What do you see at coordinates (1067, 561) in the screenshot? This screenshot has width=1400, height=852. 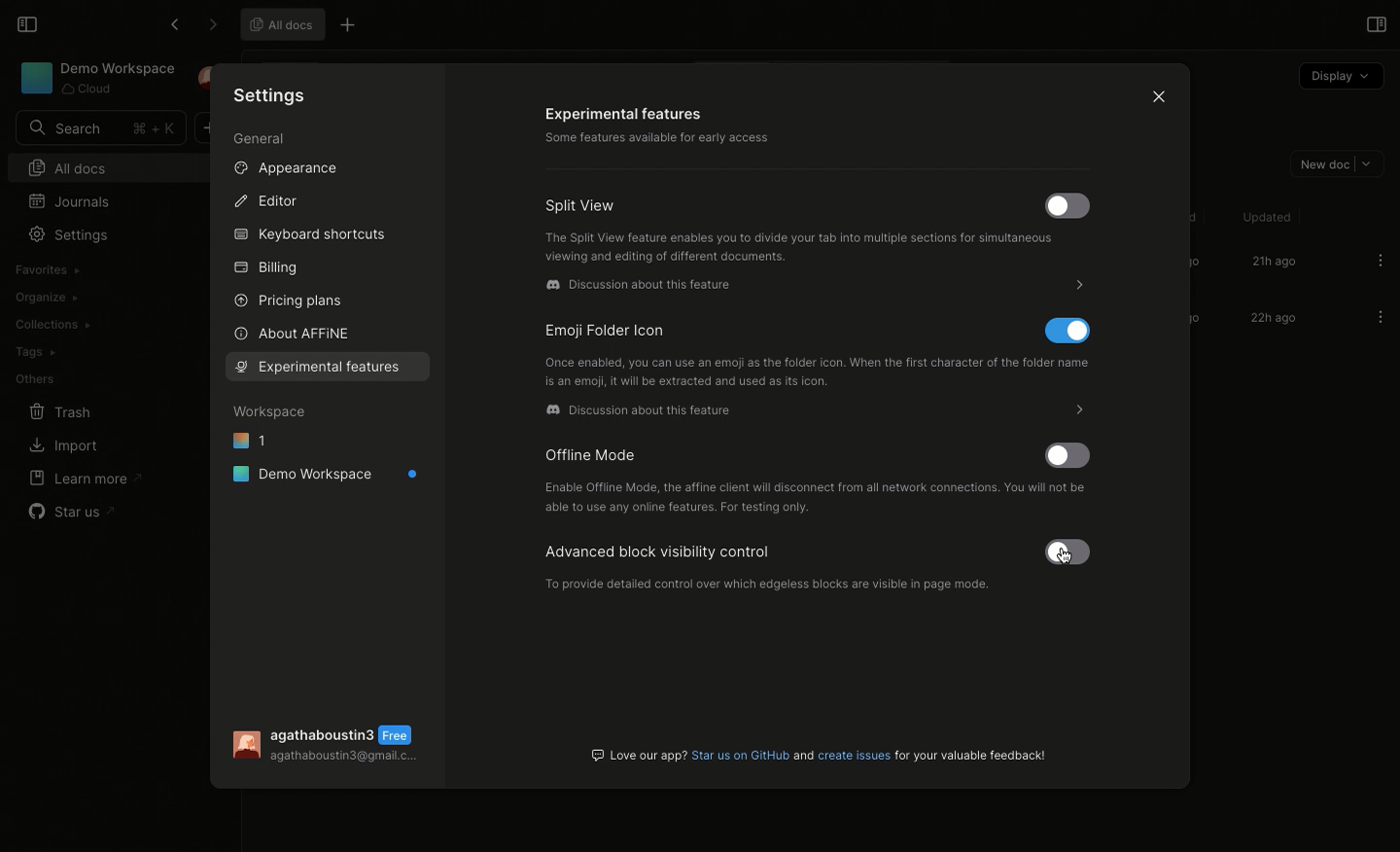 I see `cursor` at bounding box center [1067, 561].